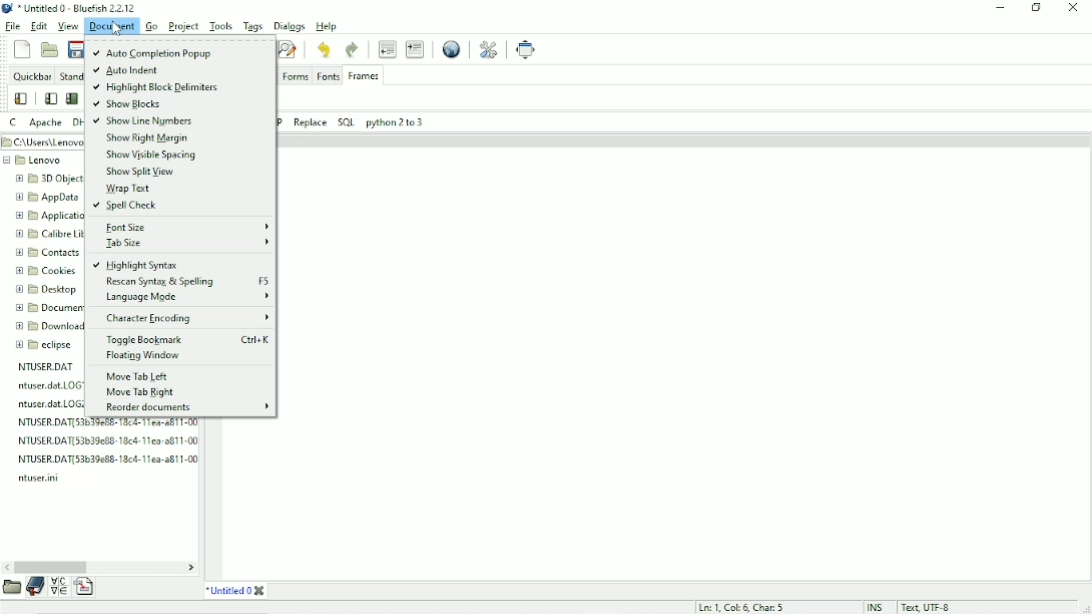  What do you see at coordinates (14, 26) in the screenshot?
I see `File` at bounding box center [14, 26].